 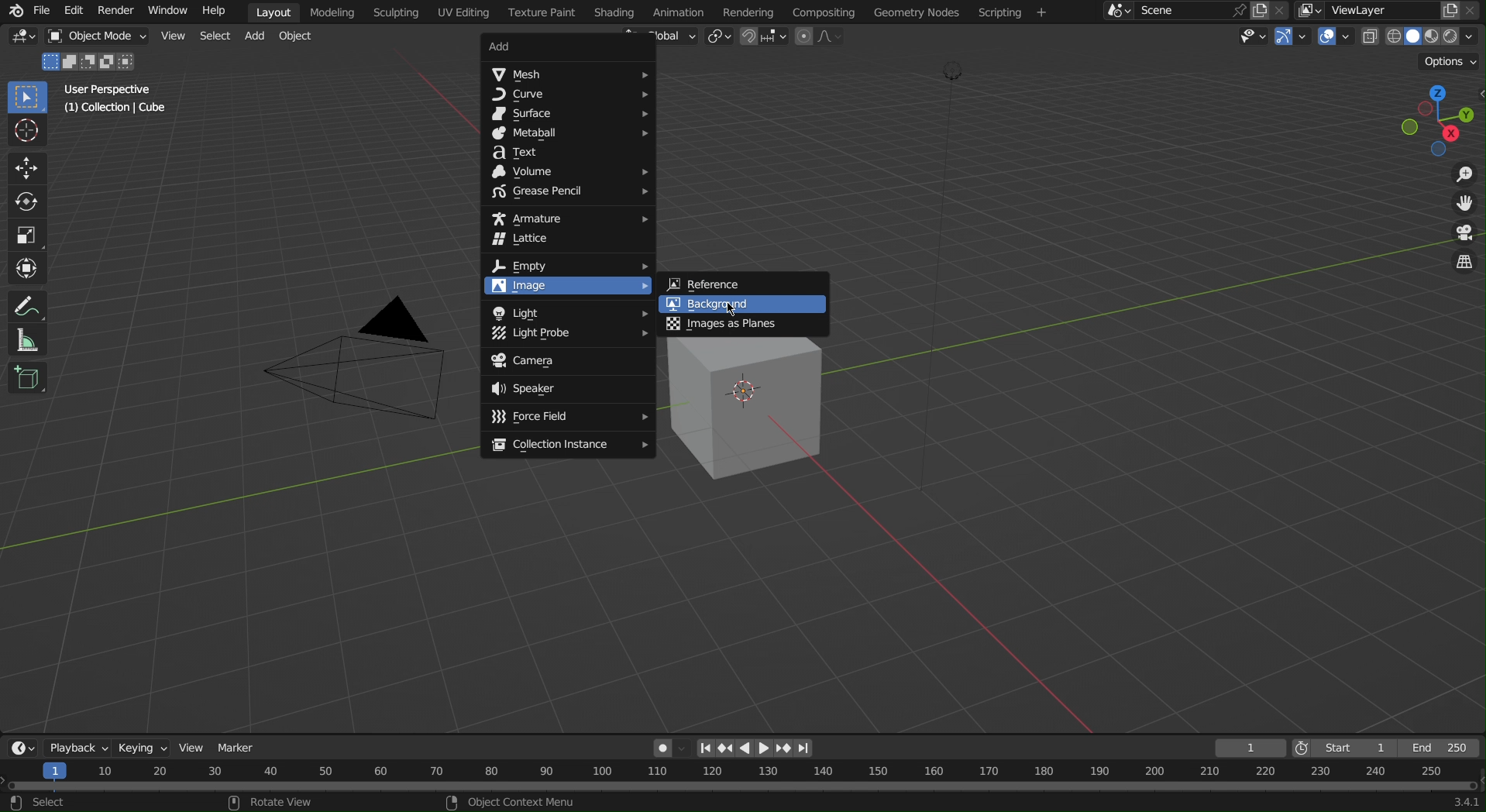 I want to click on Reference, so click(x=744, y=283).